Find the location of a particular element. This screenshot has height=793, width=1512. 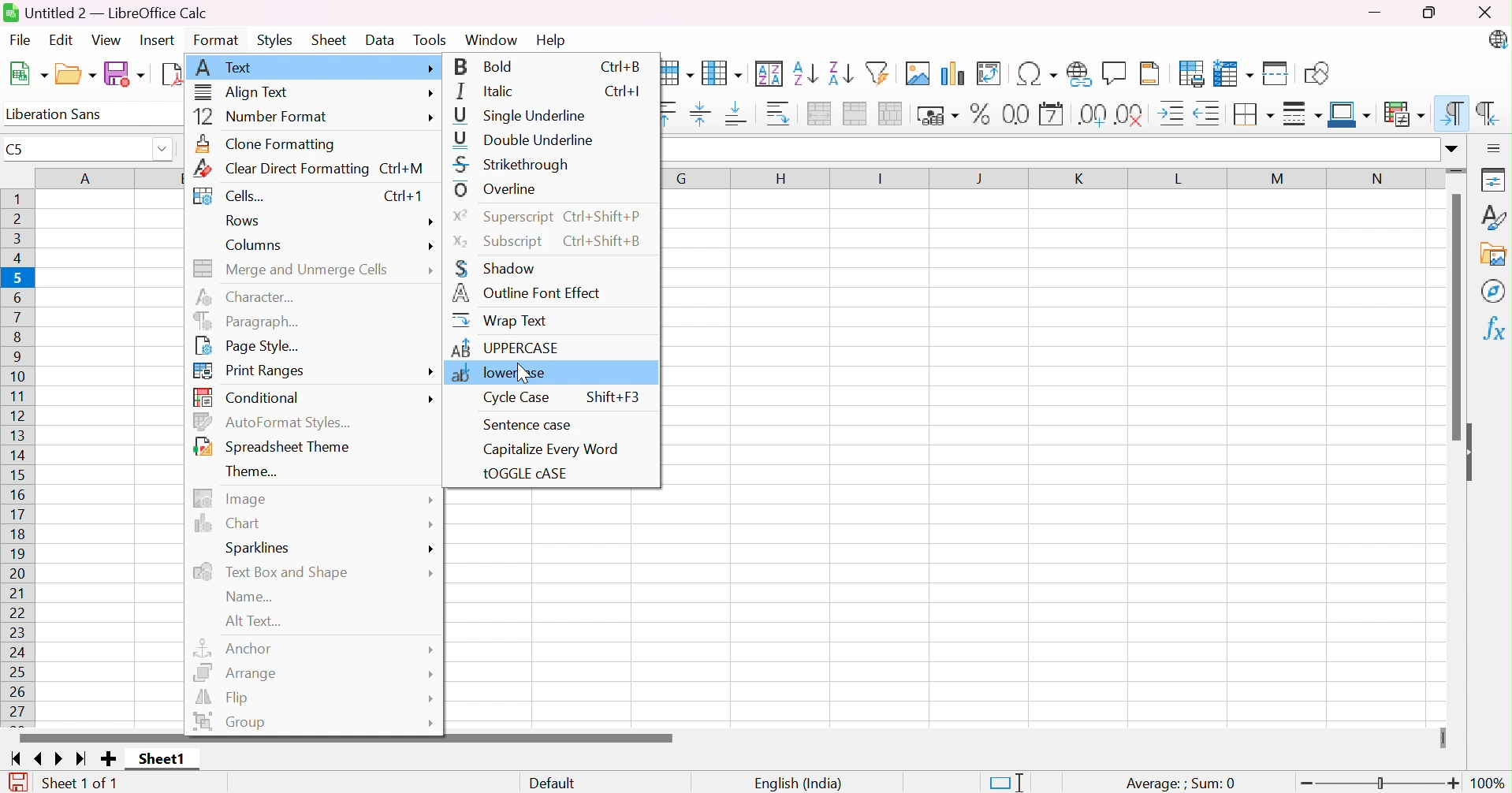

Sheet 1 of1 is located at coordinates (80, 784).